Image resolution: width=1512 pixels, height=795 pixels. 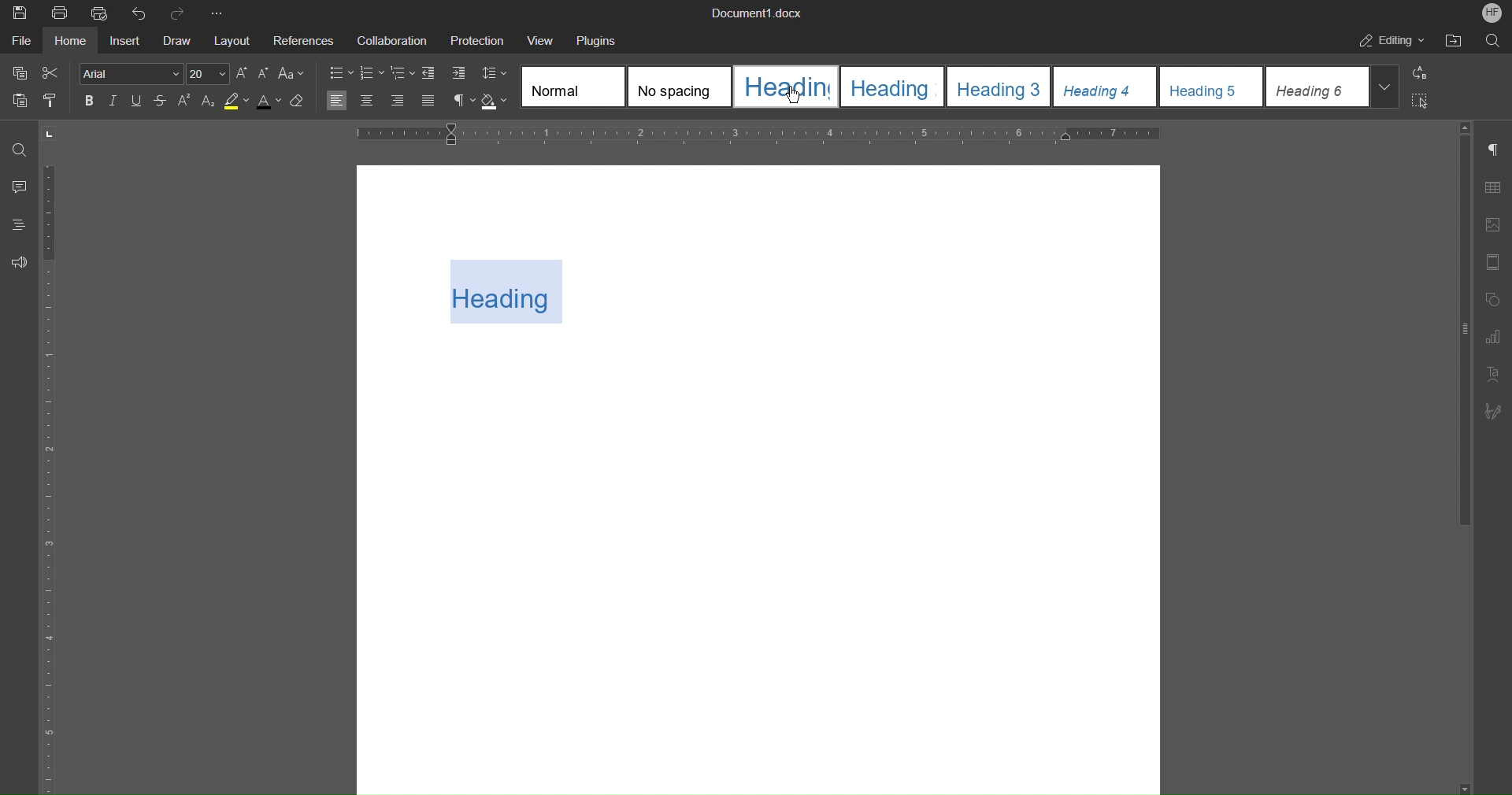 I want to click on Decrease Size, so click(x=263, y=74).